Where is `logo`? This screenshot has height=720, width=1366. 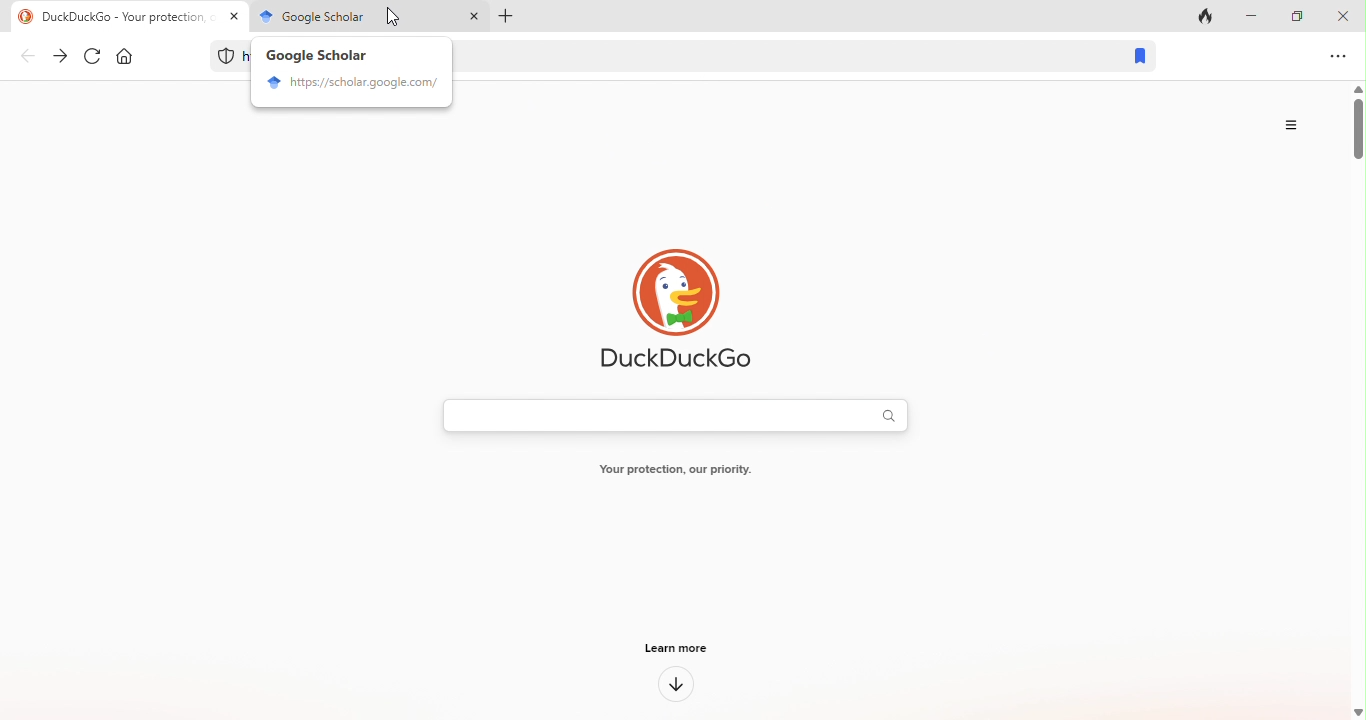 logo is located at coordinates (685, 309).